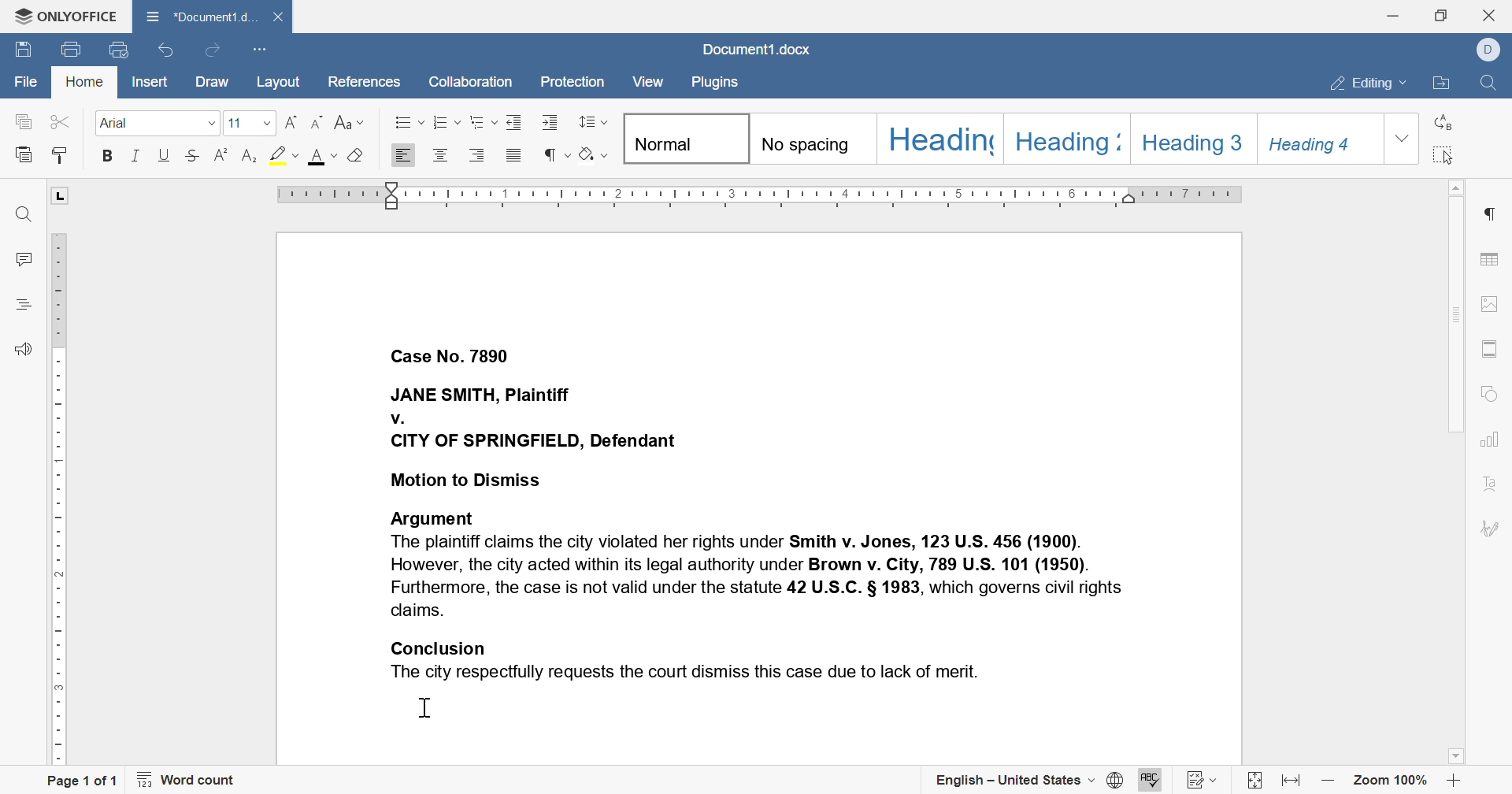 This screenshot has height=794, width=1512. What do you see at coordinates (61, 195) in the screenshot?
I see `L` at bounding box center [61, 195].